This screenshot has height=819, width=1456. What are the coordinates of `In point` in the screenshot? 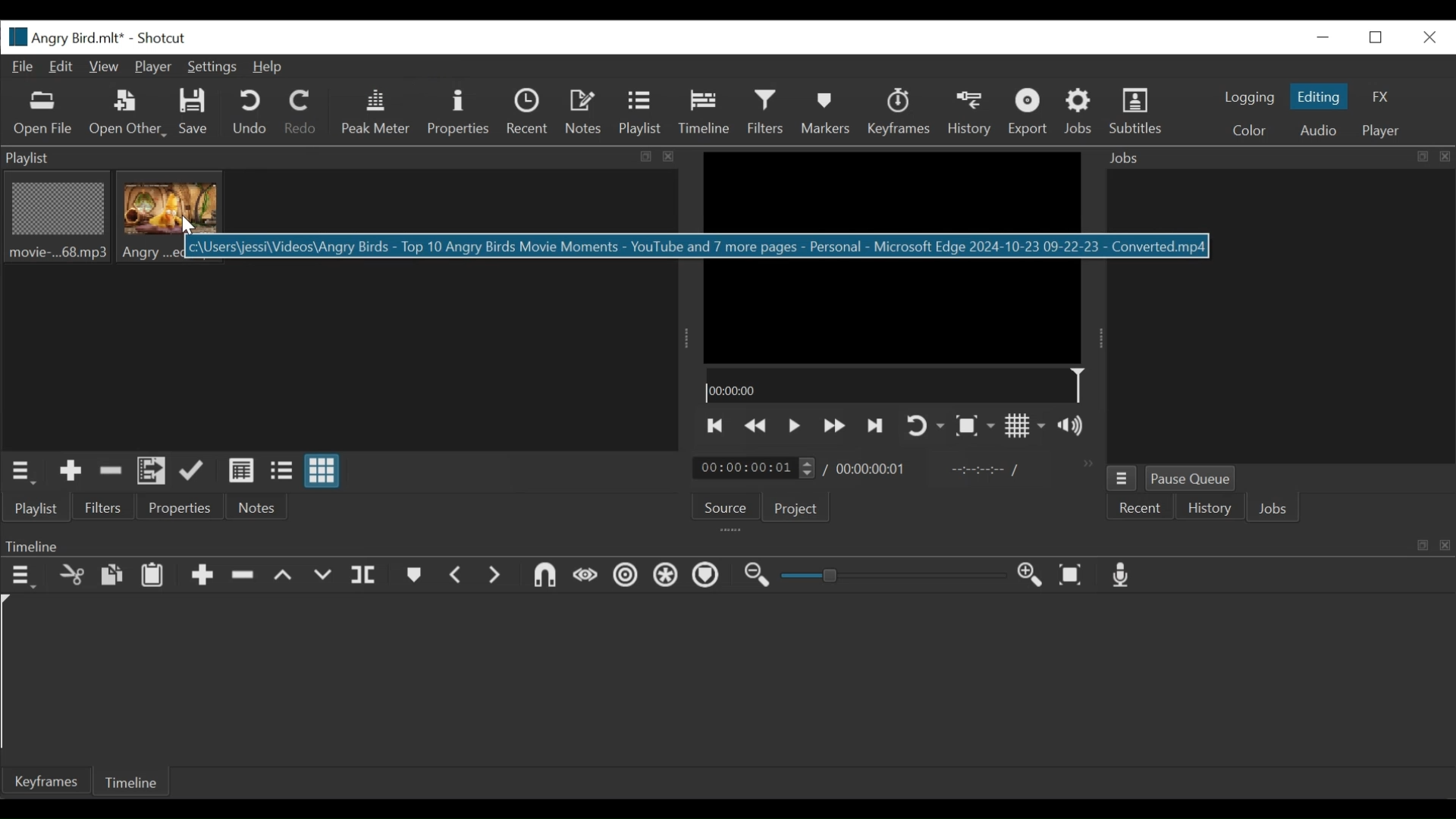 It's located at (985, 470).